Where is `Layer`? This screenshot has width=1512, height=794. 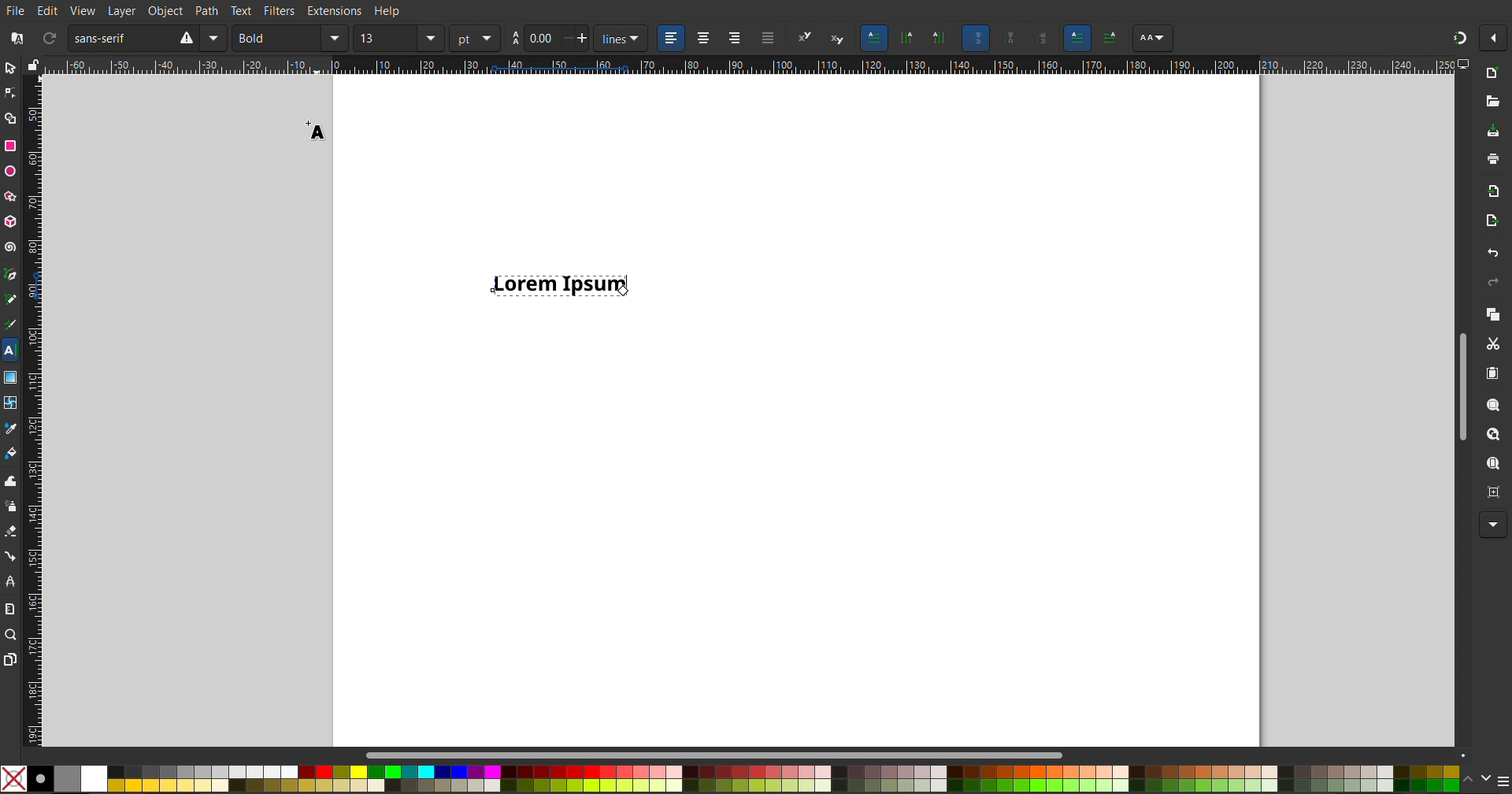 Layer is located at coordinates (119, 10).